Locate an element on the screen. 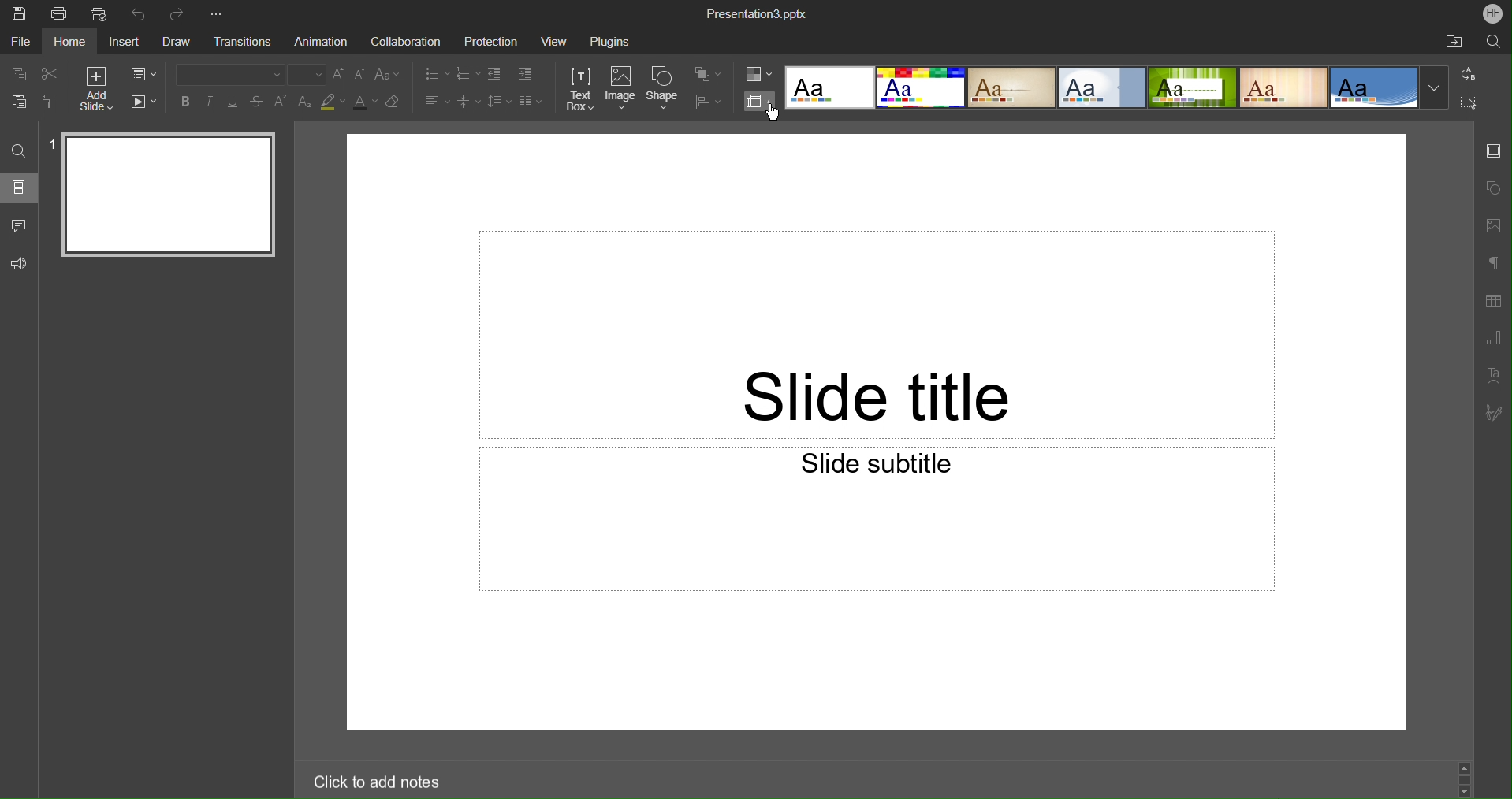  Slide Settings is located at coordinates (1492, 155).